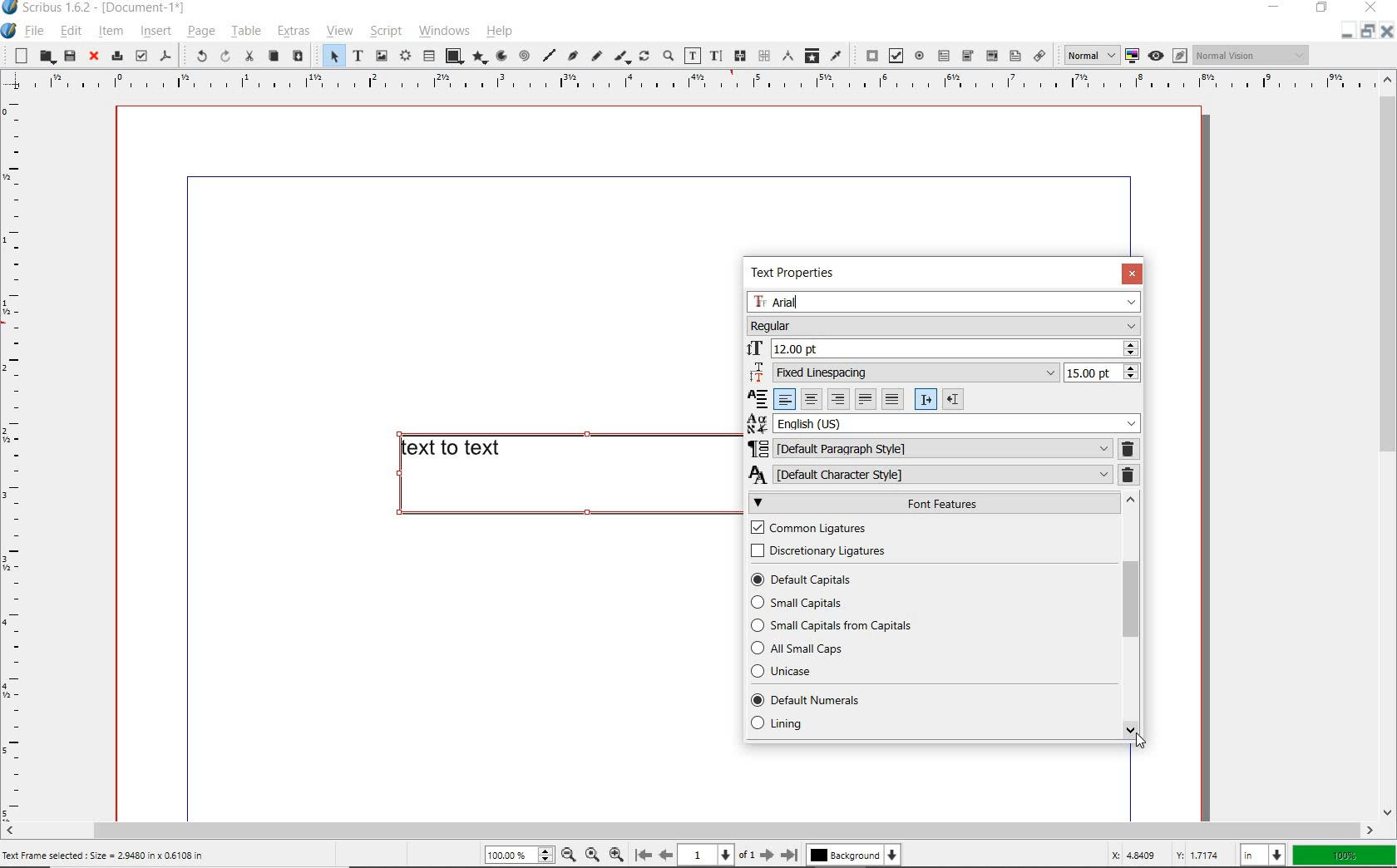 The width and height of the screenshot is (1397, 868). What do you see at coordinates (787, 855) in the screenshot?
I see `Last page` at bounding box center [787, 855].